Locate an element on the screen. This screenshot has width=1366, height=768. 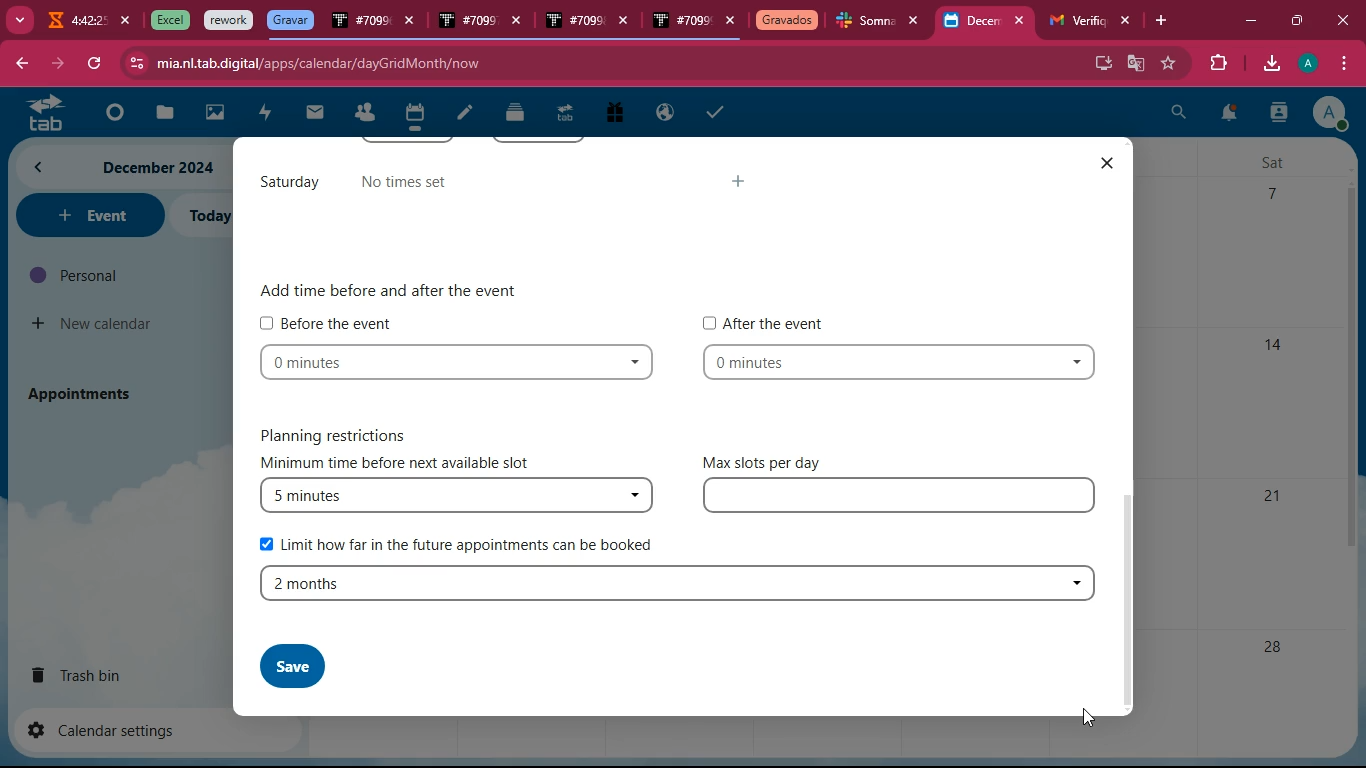
public is located at coordinates (666, 113).